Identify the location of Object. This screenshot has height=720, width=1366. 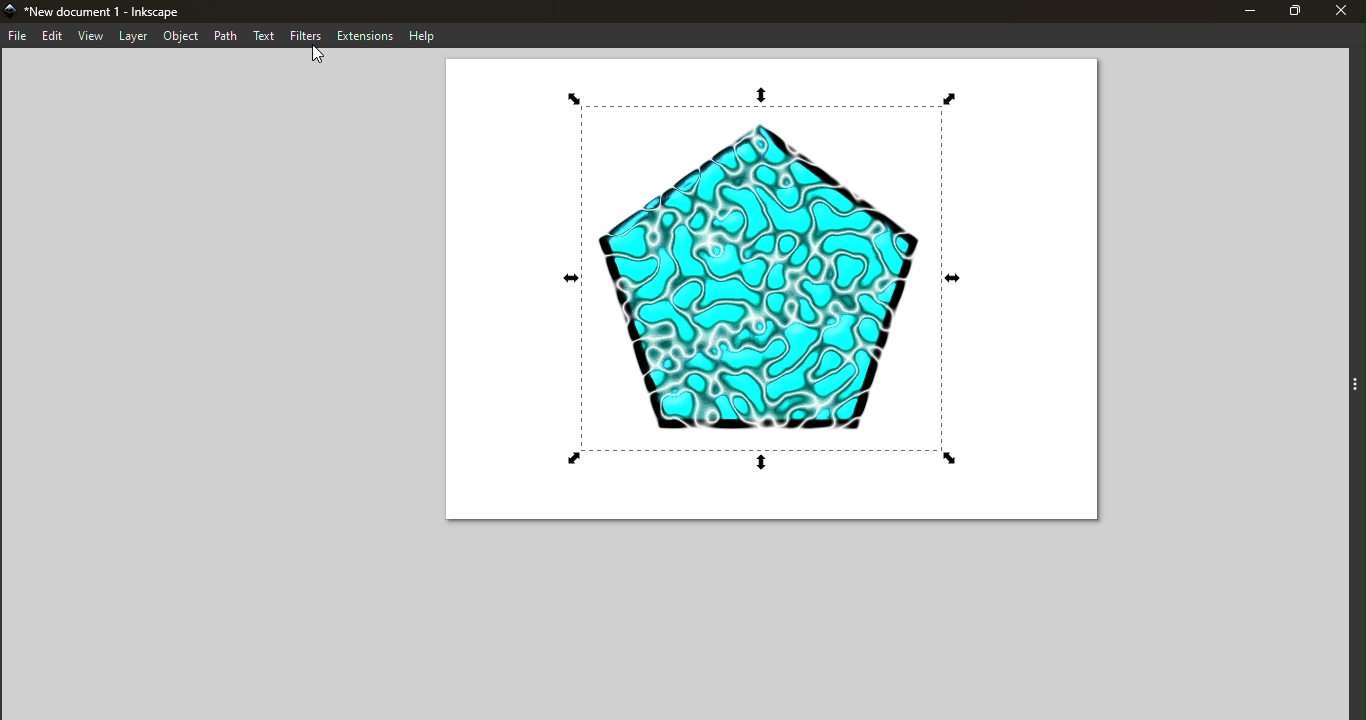
(179, 36).